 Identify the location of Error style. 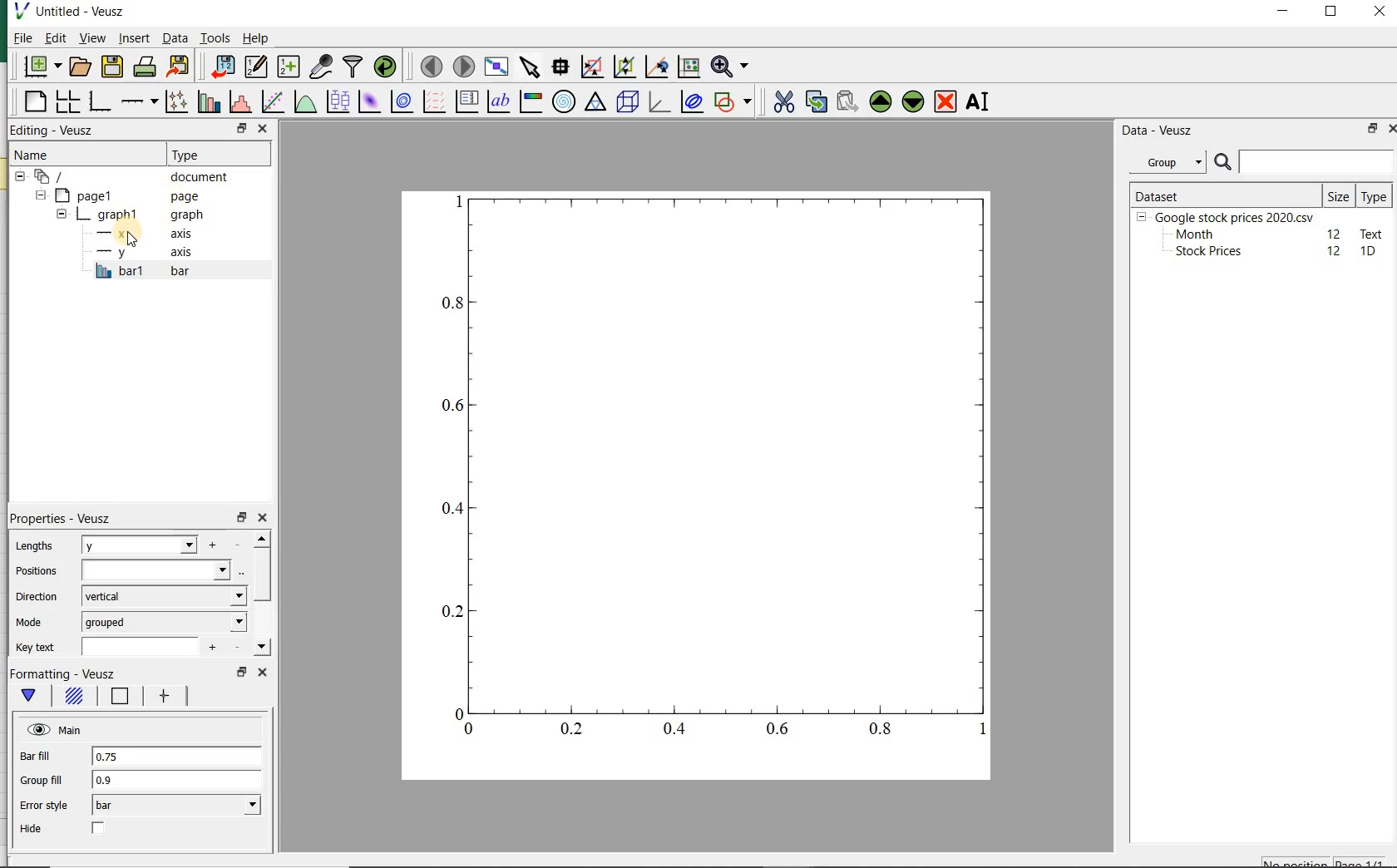
(42, 806).